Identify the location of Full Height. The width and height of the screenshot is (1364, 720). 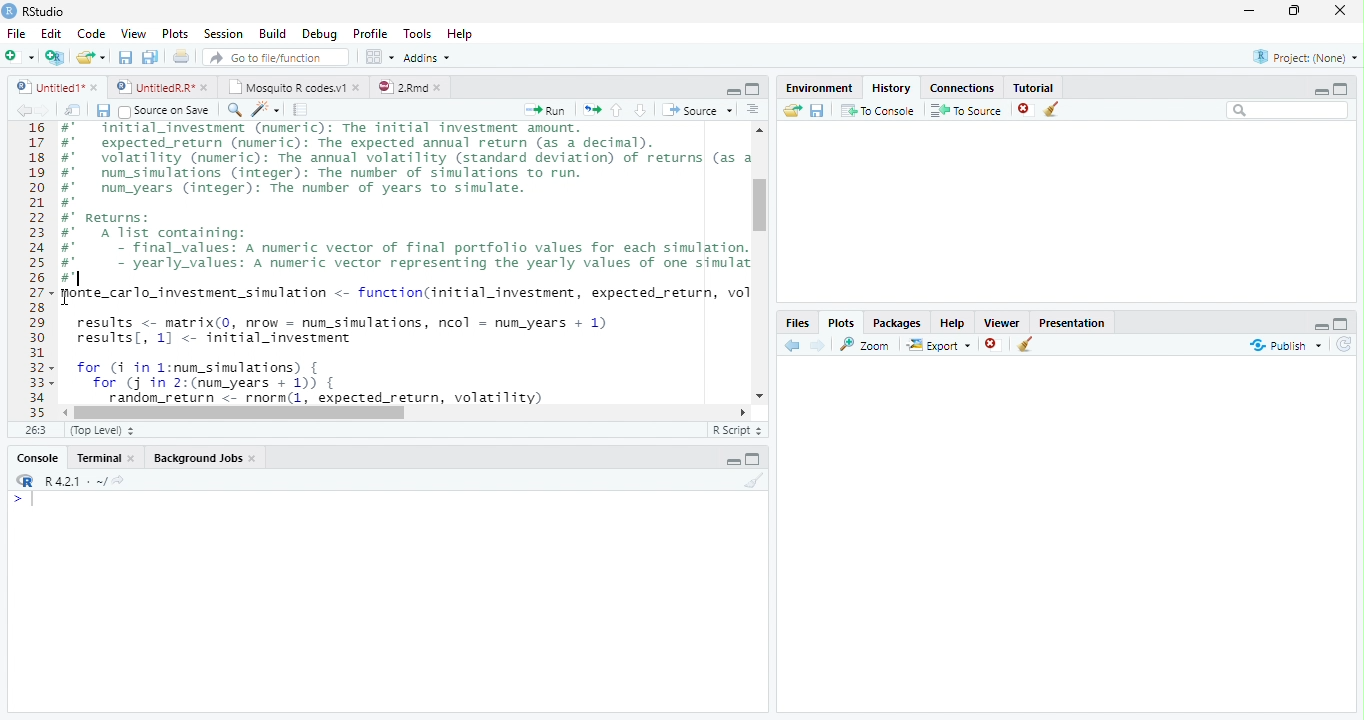
(1342, 87).